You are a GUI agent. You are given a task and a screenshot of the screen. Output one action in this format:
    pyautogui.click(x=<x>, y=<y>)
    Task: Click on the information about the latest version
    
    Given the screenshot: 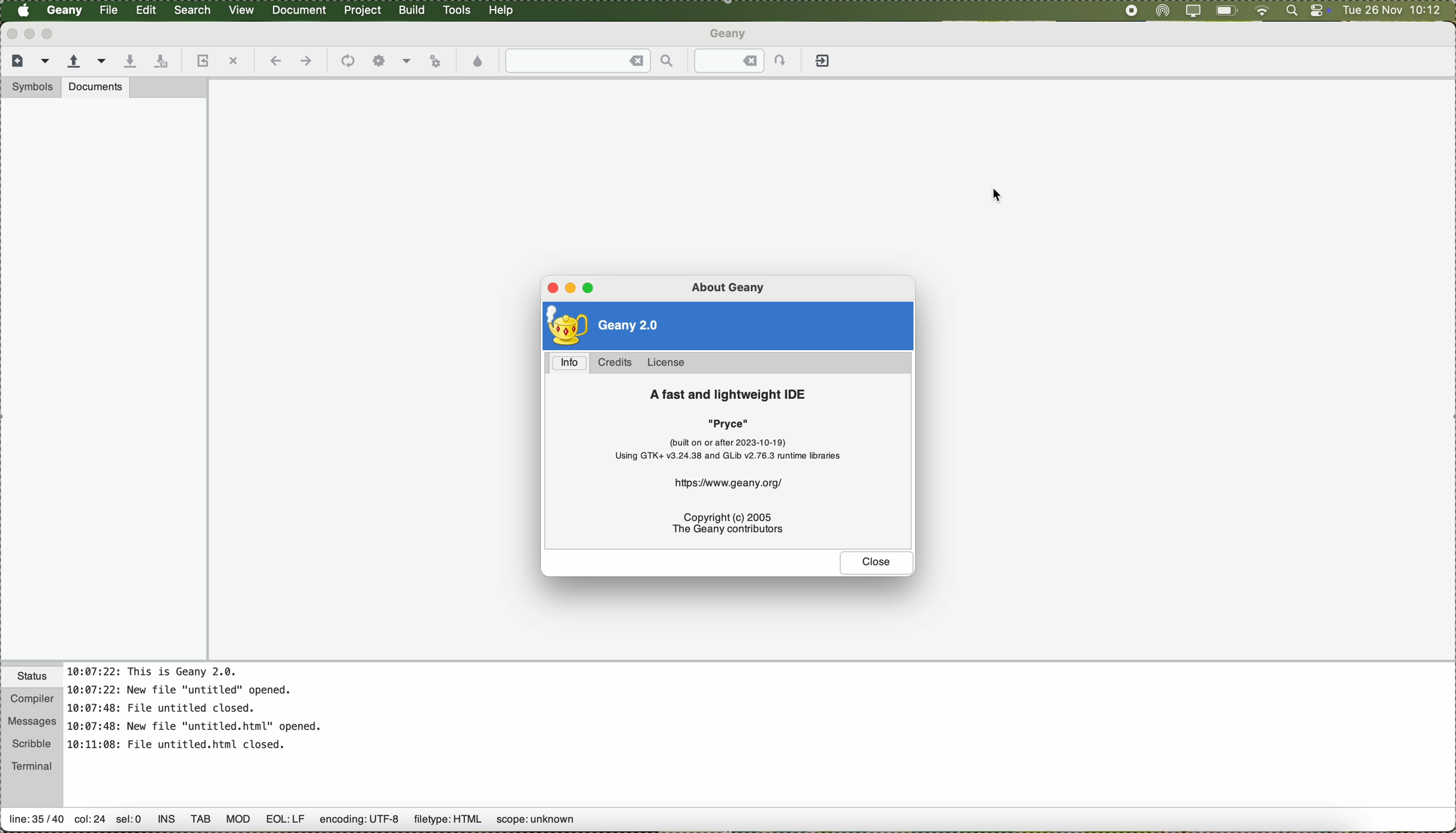 What is the action you would take?
    pyautogui.click(x=737, y=464)
    